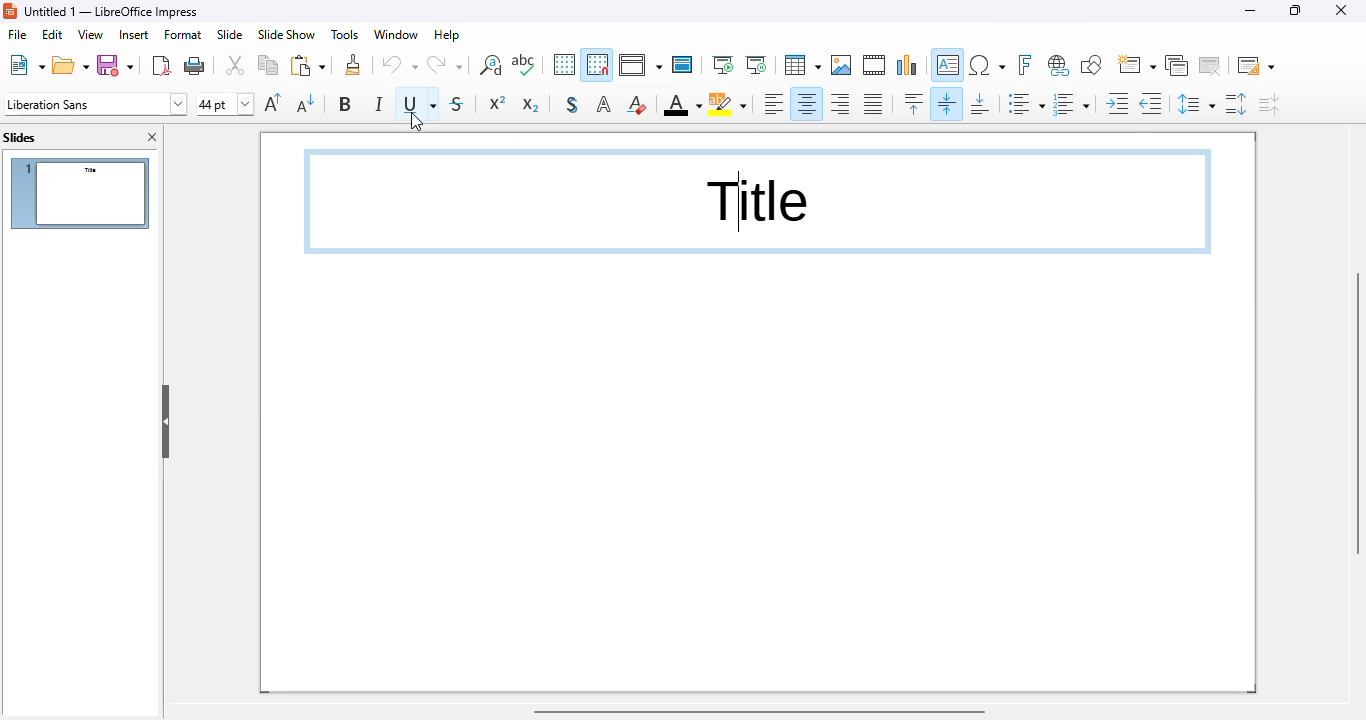  I want to click on export directly as PDF, so click(161, 65).